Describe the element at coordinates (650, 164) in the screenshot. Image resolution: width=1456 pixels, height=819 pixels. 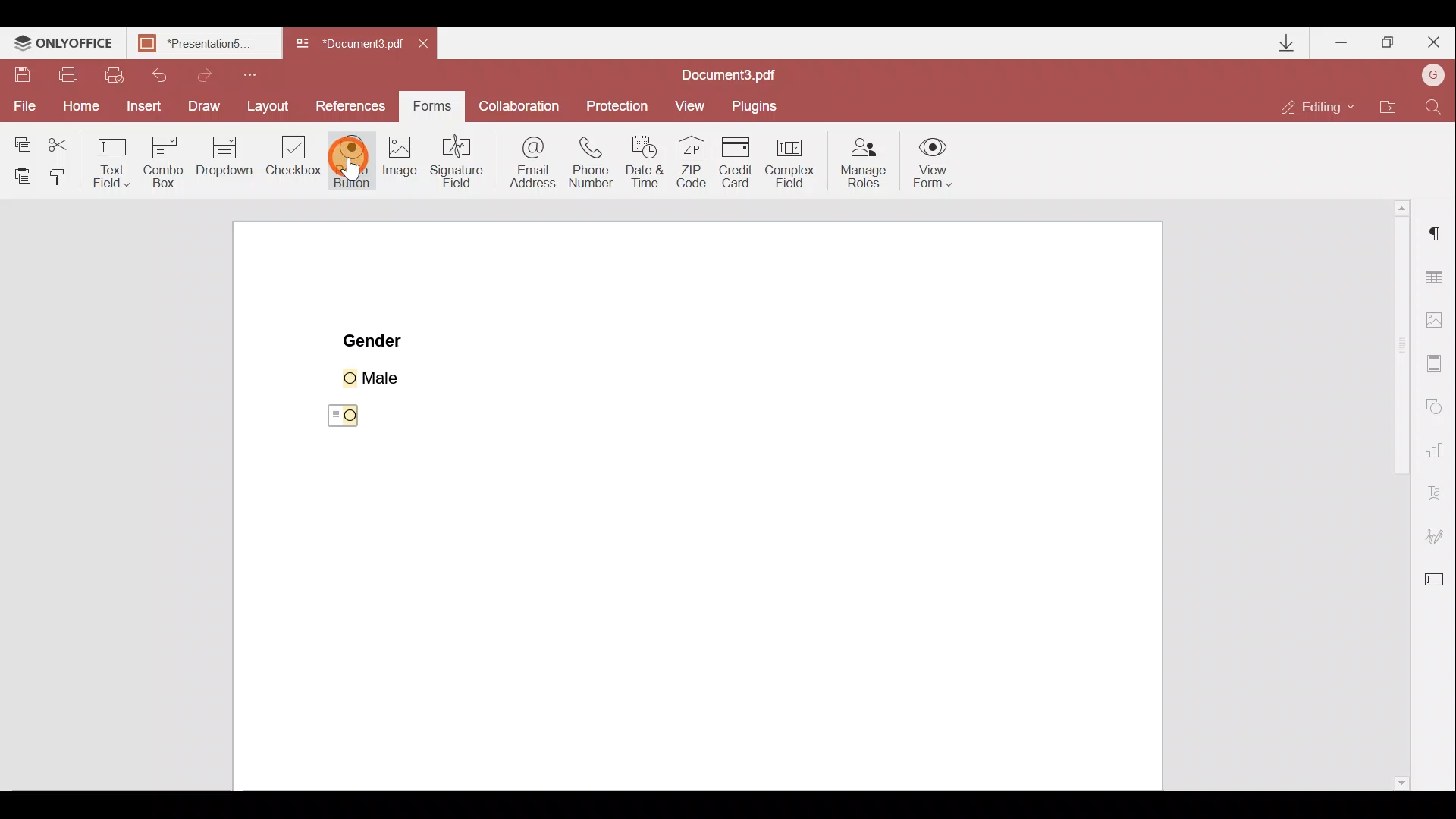
I see `Date & time` at that location.